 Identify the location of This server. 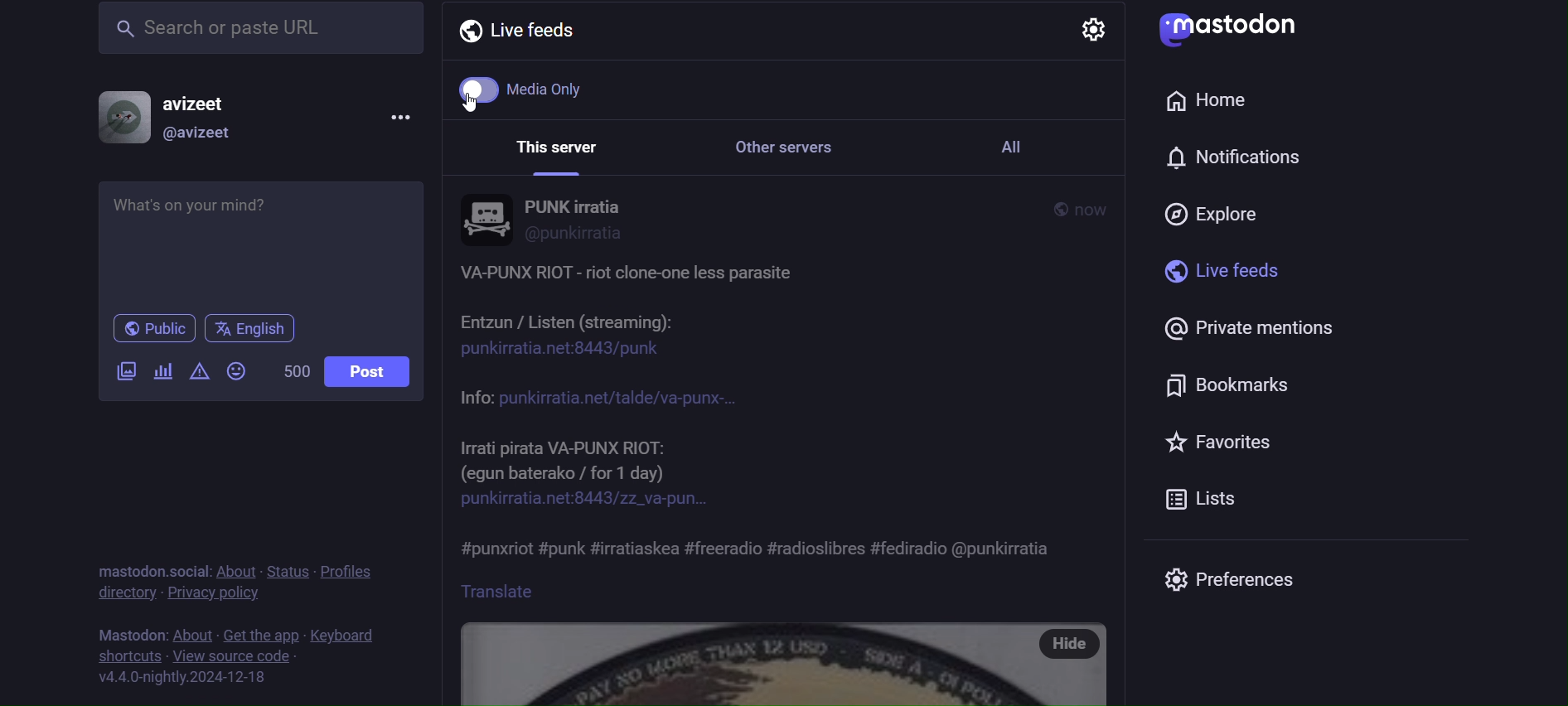
(561, 145).